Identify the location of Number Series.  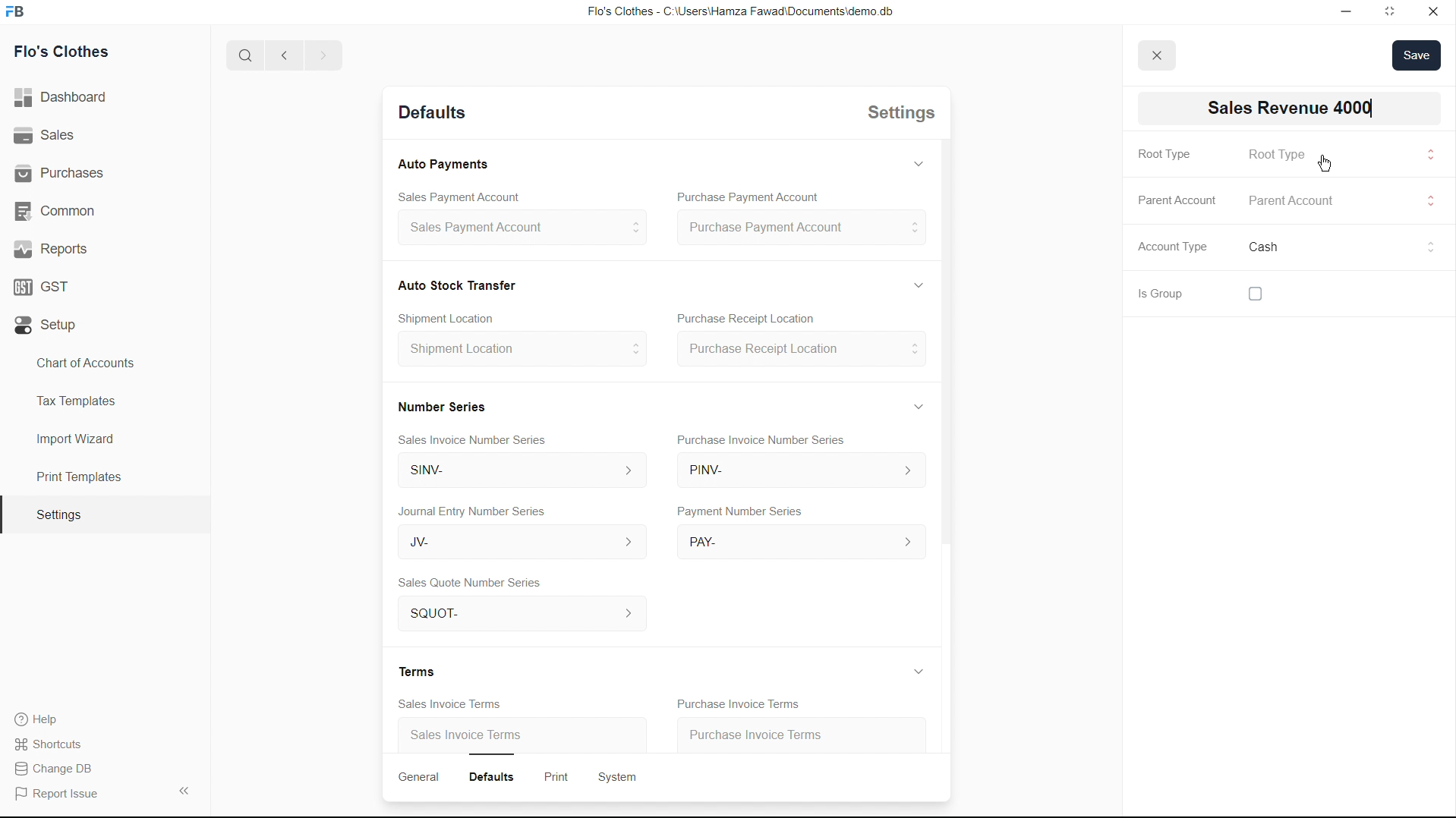
(440, 404).